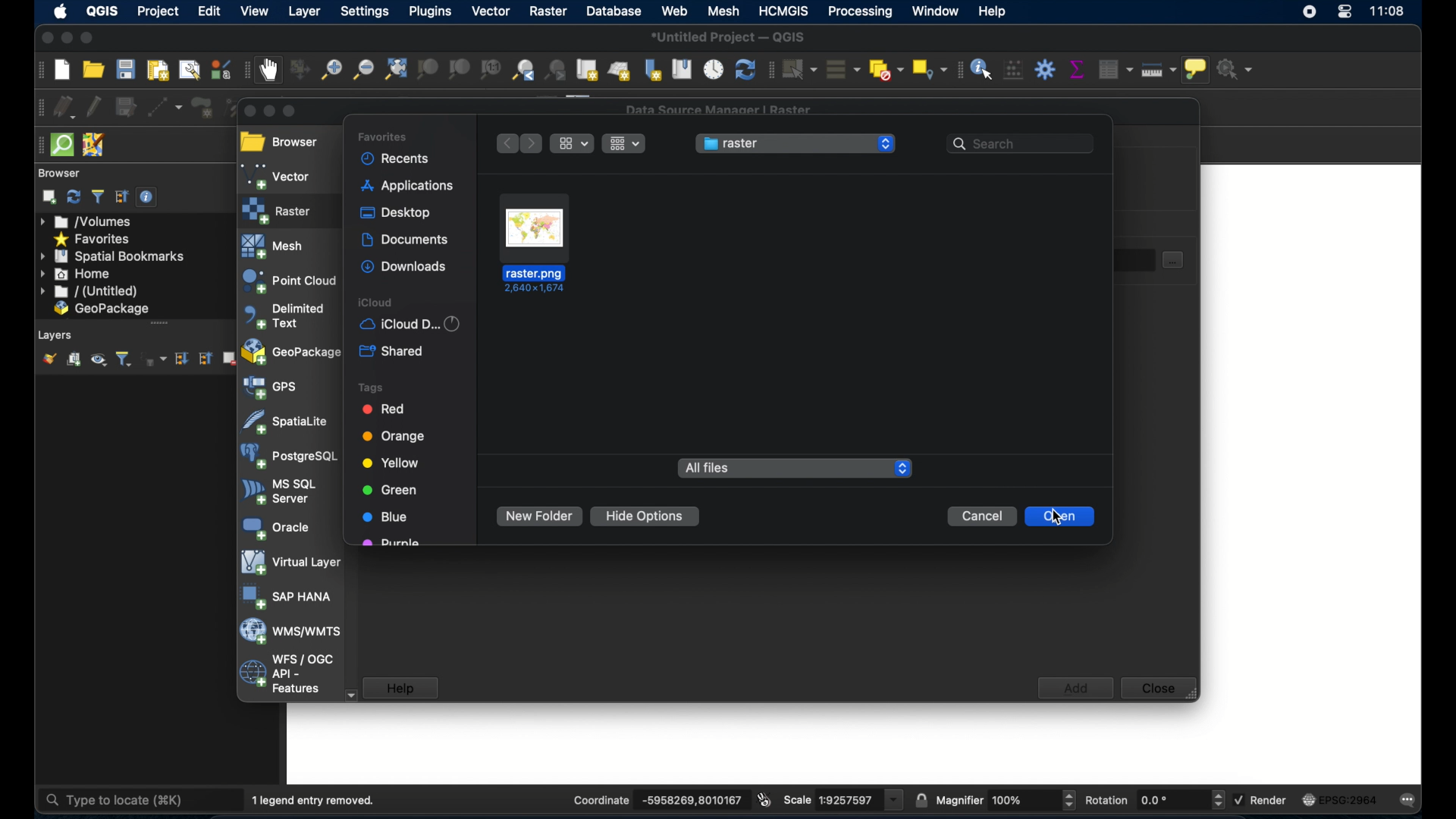 Image resolution: width=1456 pixels, height=819 pixels. I want to click on raster menu, so click(795, 143).